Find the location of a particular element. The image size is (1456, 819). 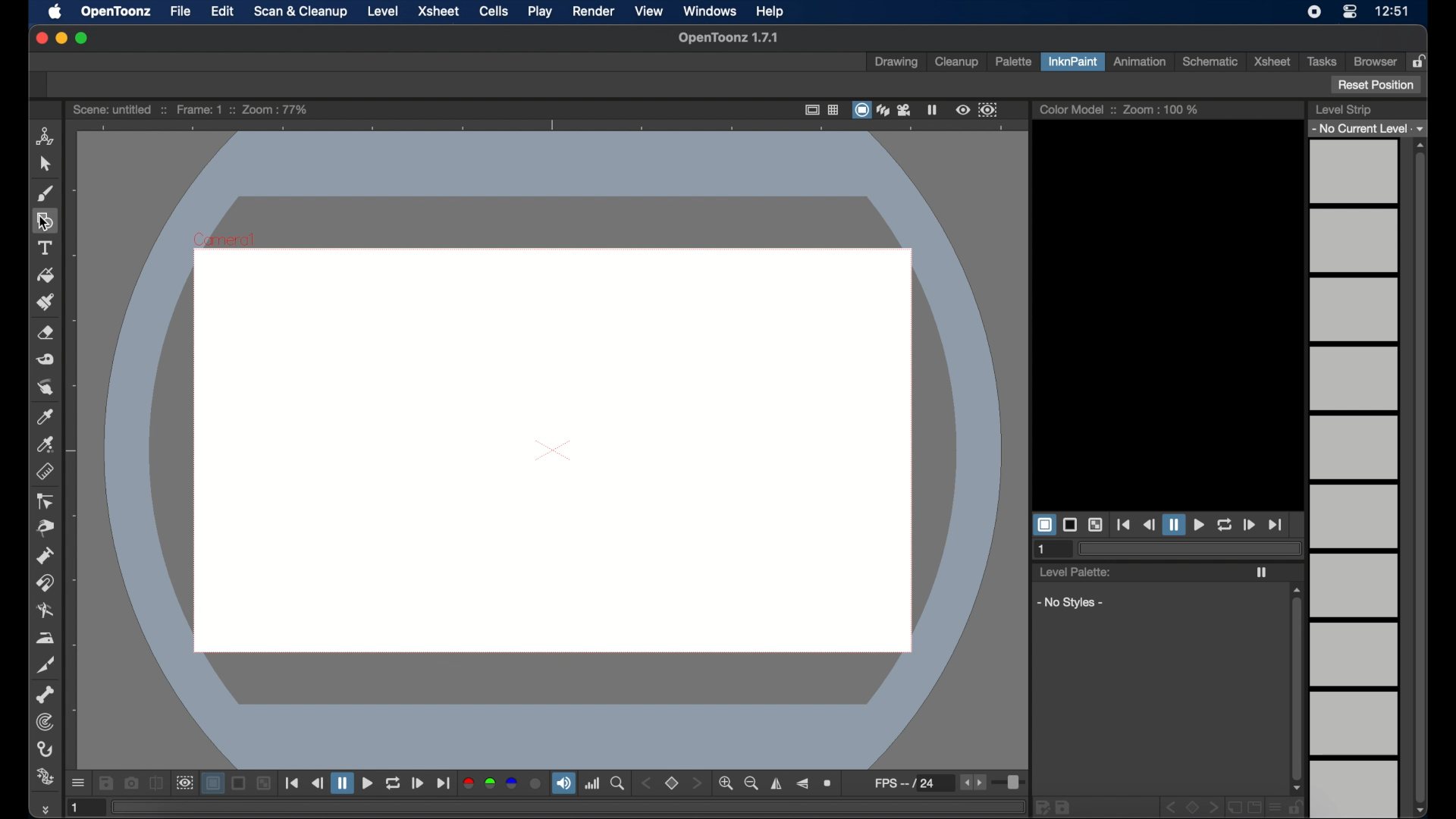

locator is located at coordinates (617, 783).